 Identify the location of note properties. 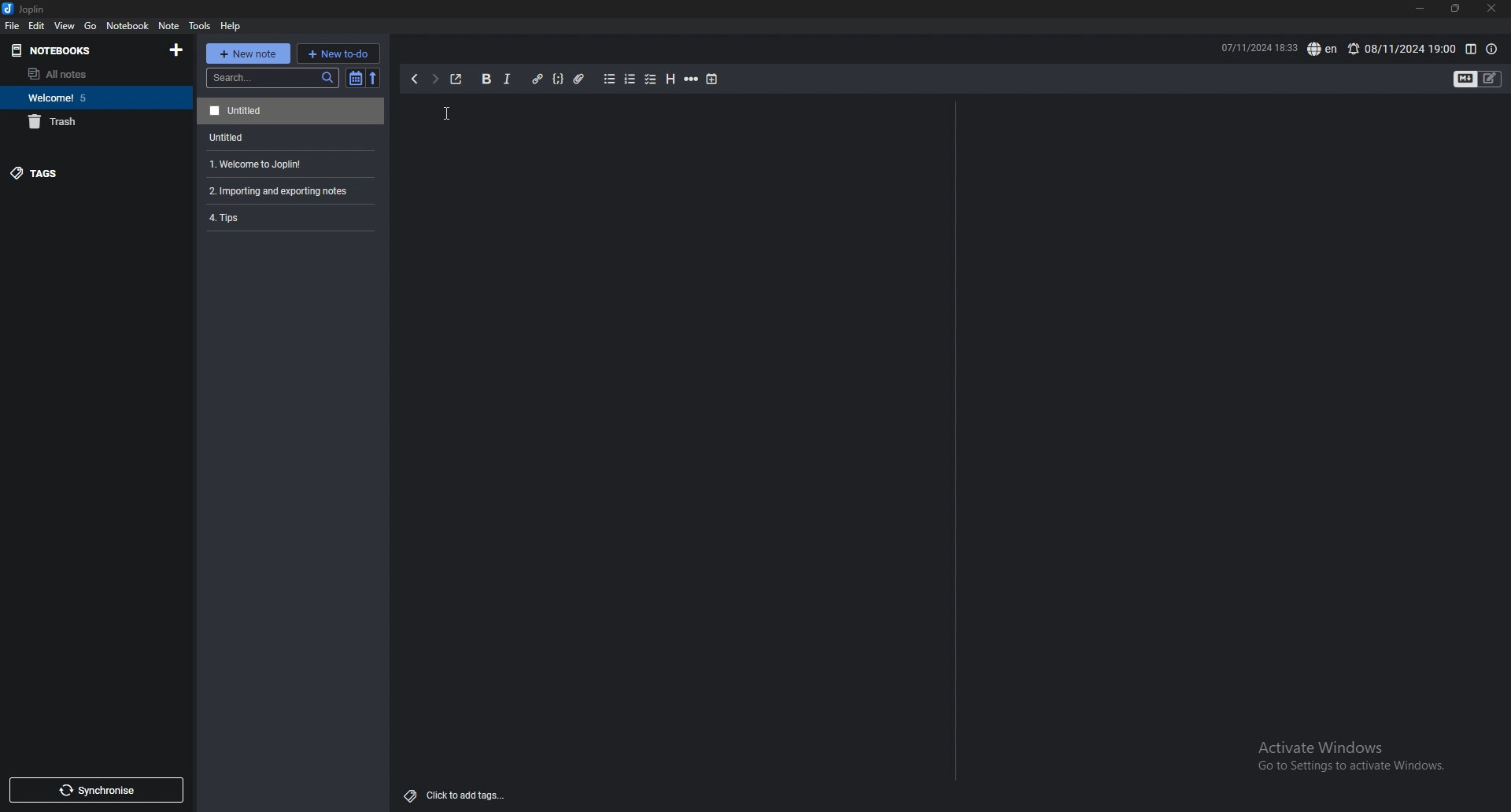
(1491, 50).